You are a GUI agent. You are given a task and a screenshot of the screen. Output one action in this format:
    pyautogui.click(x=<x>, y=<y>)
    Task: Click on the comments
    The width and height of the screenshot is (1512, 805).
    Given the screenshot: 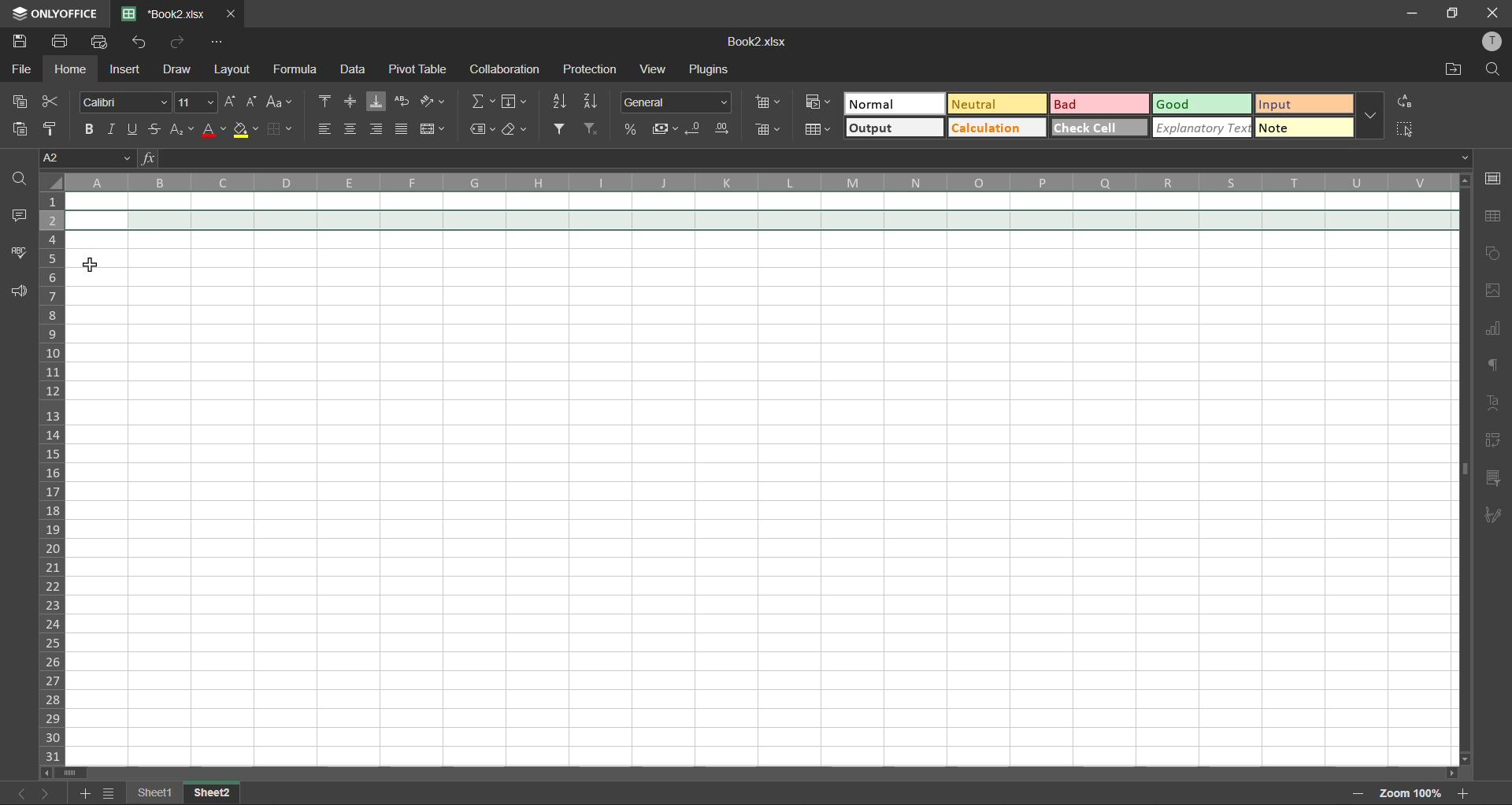 What is the action you would take?
    pyautogui.click(x=22, y=218)
    